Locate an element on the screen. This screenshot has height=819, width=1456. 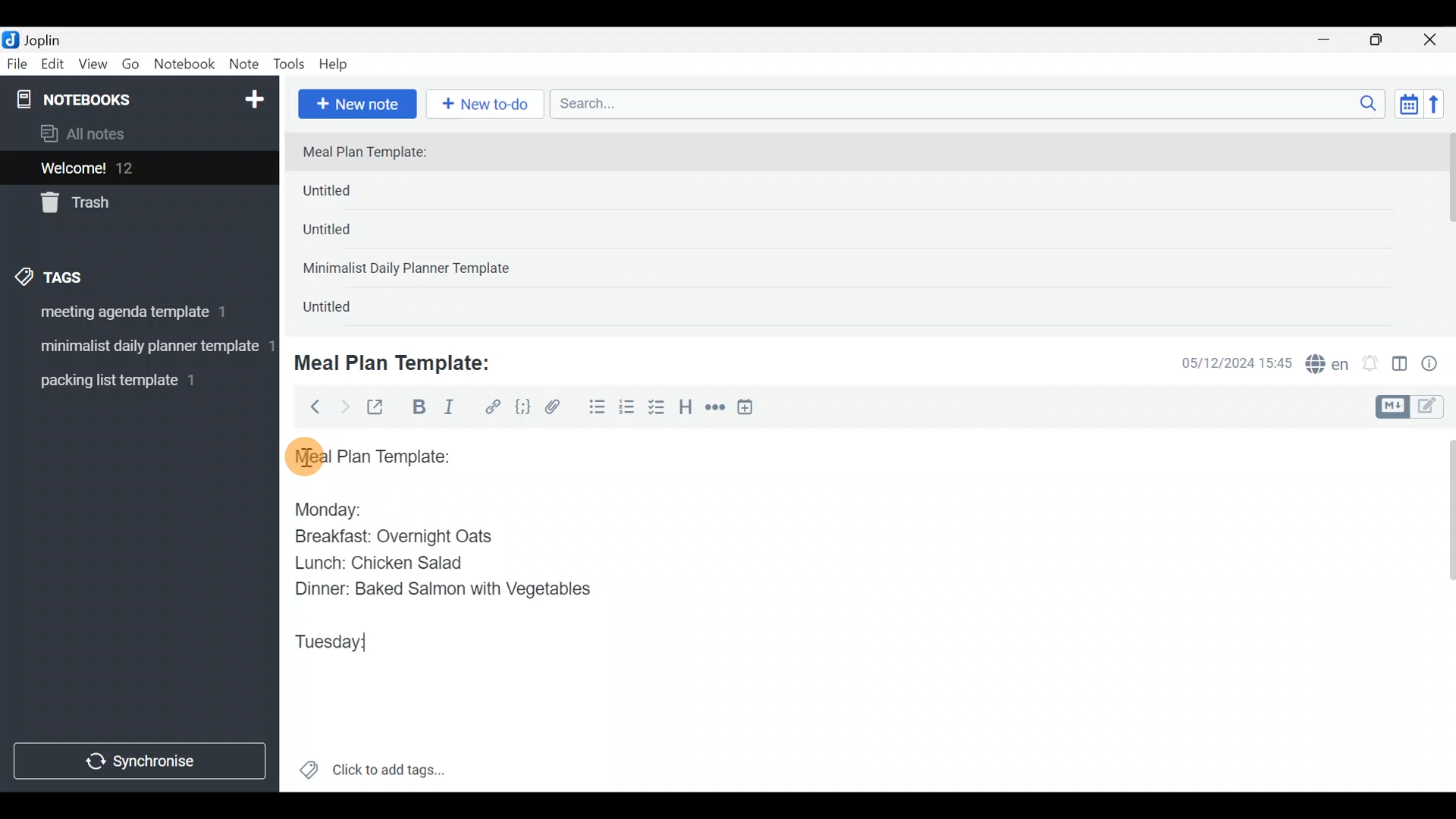
Minimalist Daily Planner Template is located at coordinates (411, 270).